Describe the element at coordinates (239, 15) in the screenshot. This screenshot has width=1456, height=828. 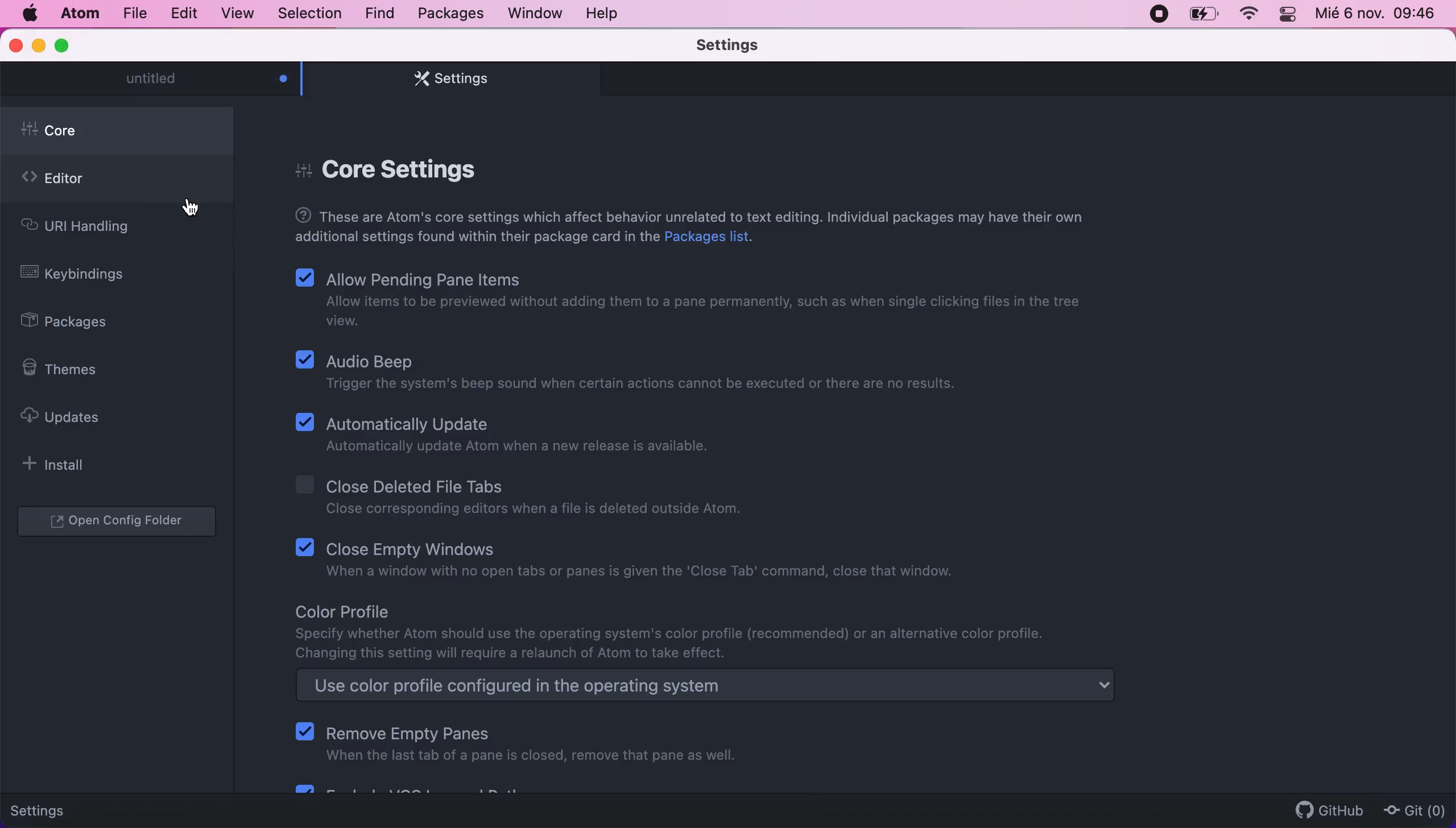
I see `view` at that location.